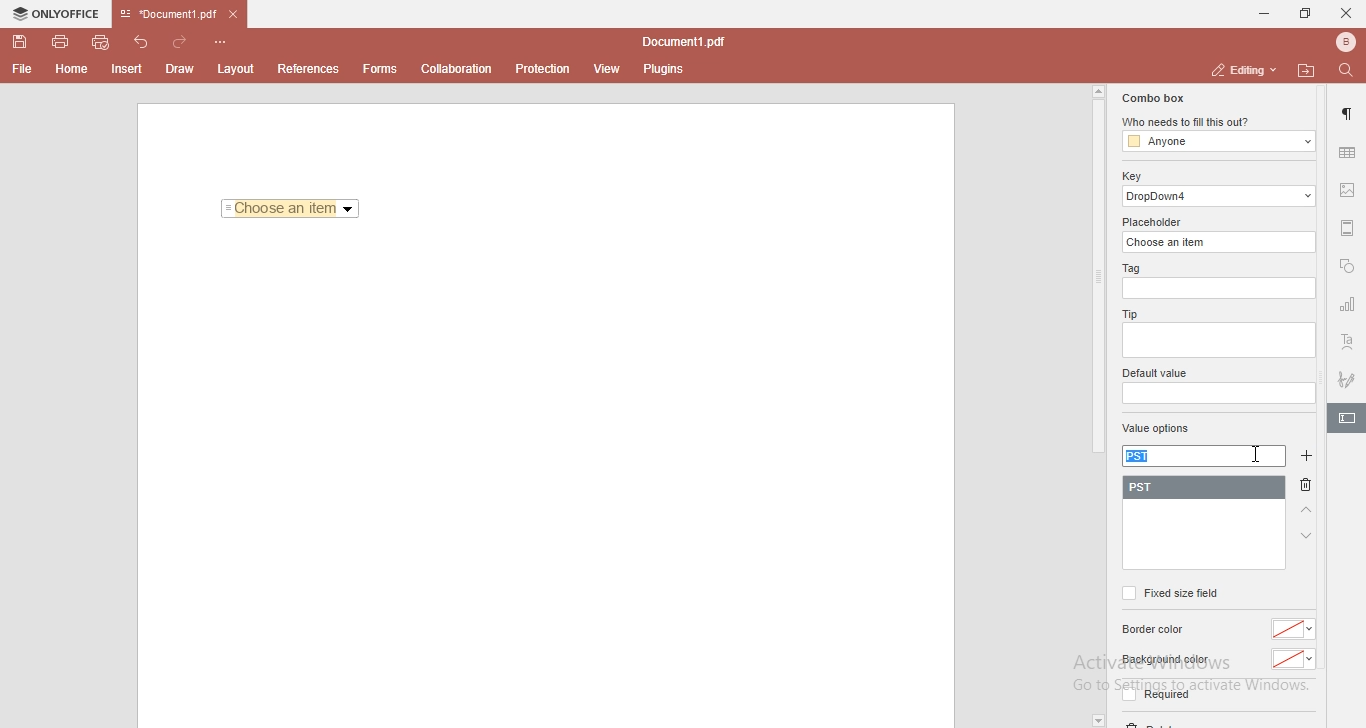 Image resolution: width=1366 pixels, height=728 pixels. Describe the element at coordinates (1296, 629) in the screenshot. I see `color dropdown` at that location.